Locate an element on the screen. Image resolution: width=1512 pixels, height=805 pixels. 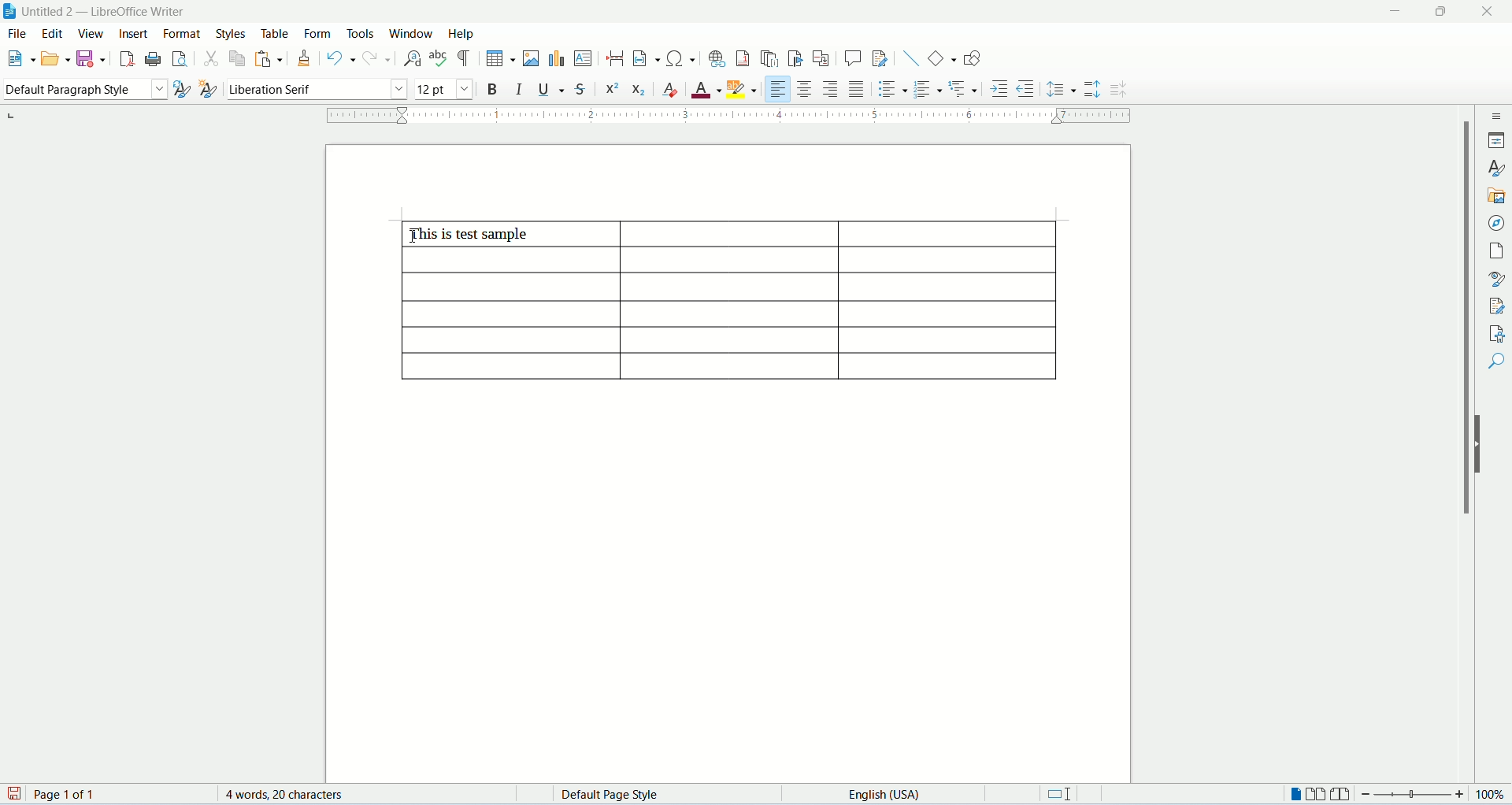
find and replace is located at coordinates (413, 58).